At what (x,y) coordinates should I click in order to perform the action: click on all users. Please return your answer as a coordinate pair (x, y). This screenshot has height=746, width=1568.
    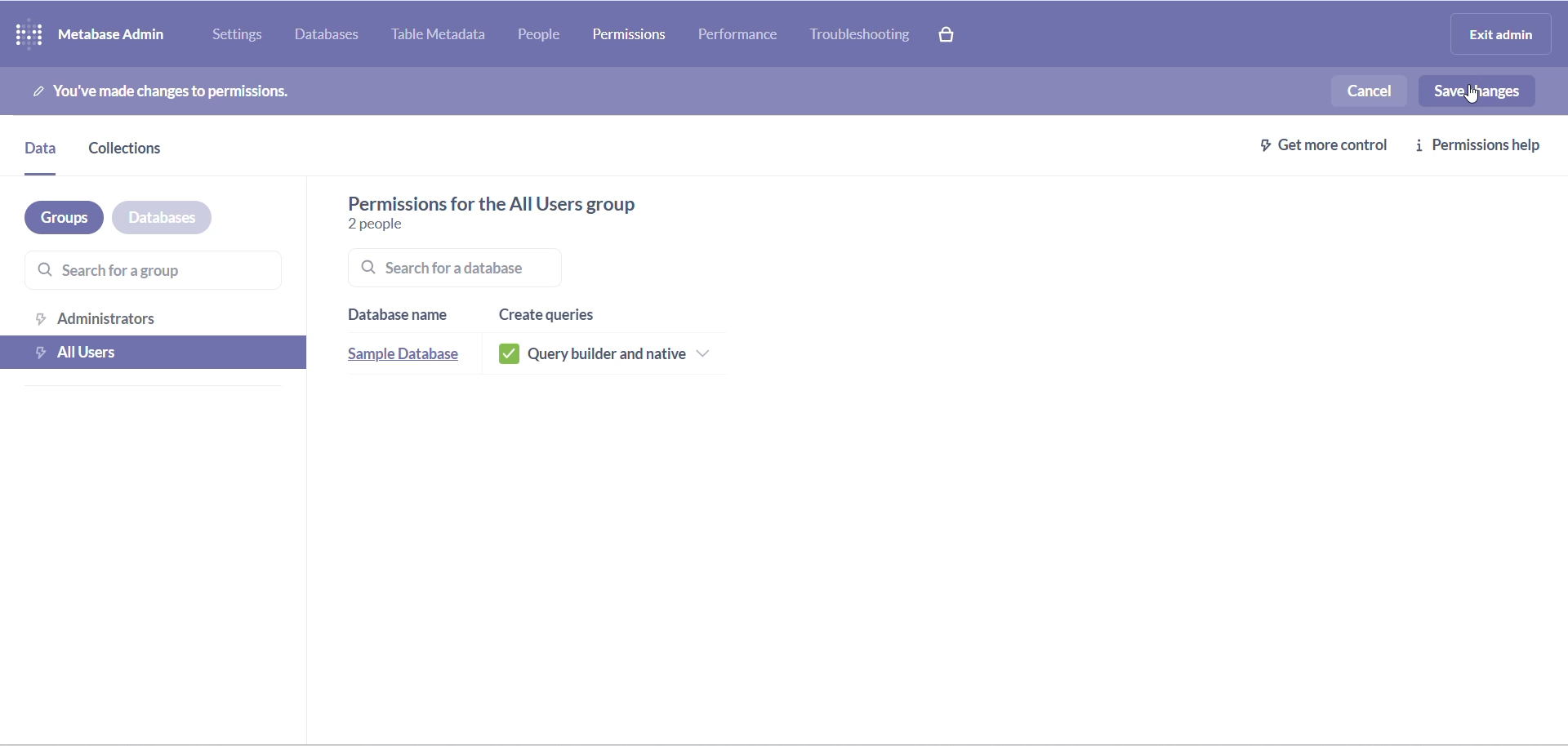
    Looking at the image, I should click on (155, 353).